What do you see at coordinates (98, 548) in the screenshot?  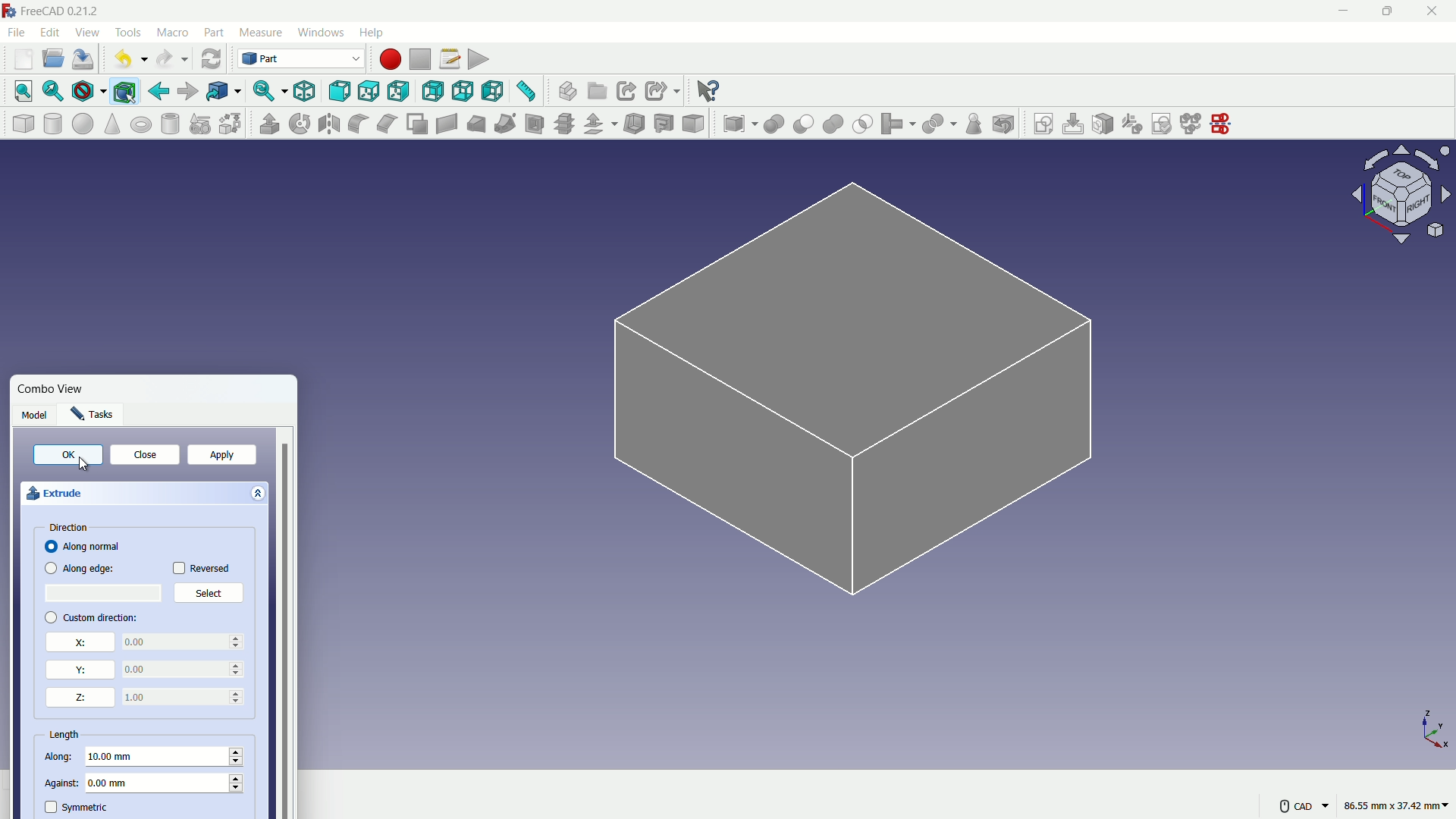 I see `Along normal` at bounding box center [98, 548].